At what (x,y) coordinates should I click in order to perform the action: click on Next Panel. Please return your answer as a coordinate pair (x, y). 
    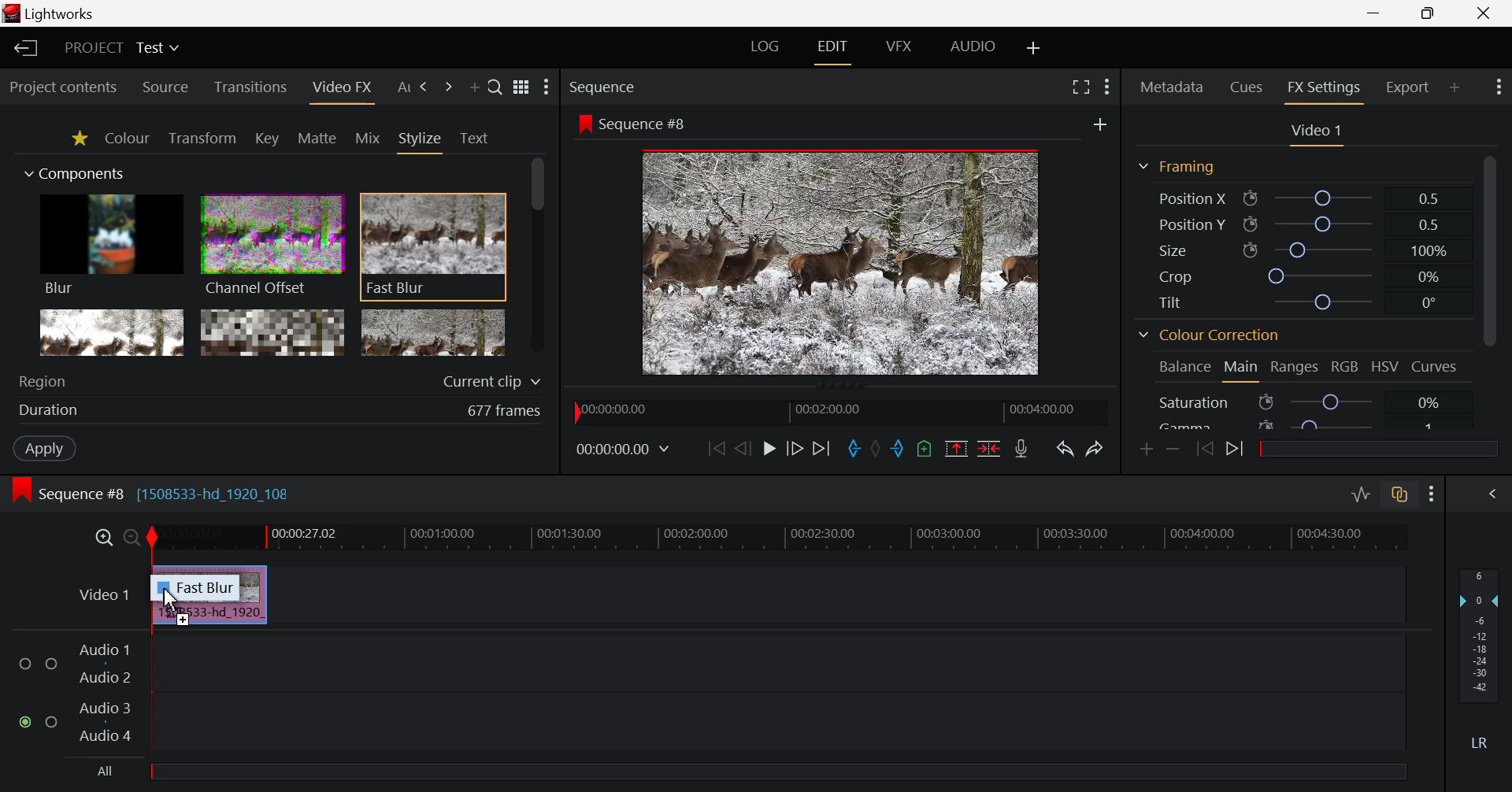
    Looking at the image, I should click on (421, 87).